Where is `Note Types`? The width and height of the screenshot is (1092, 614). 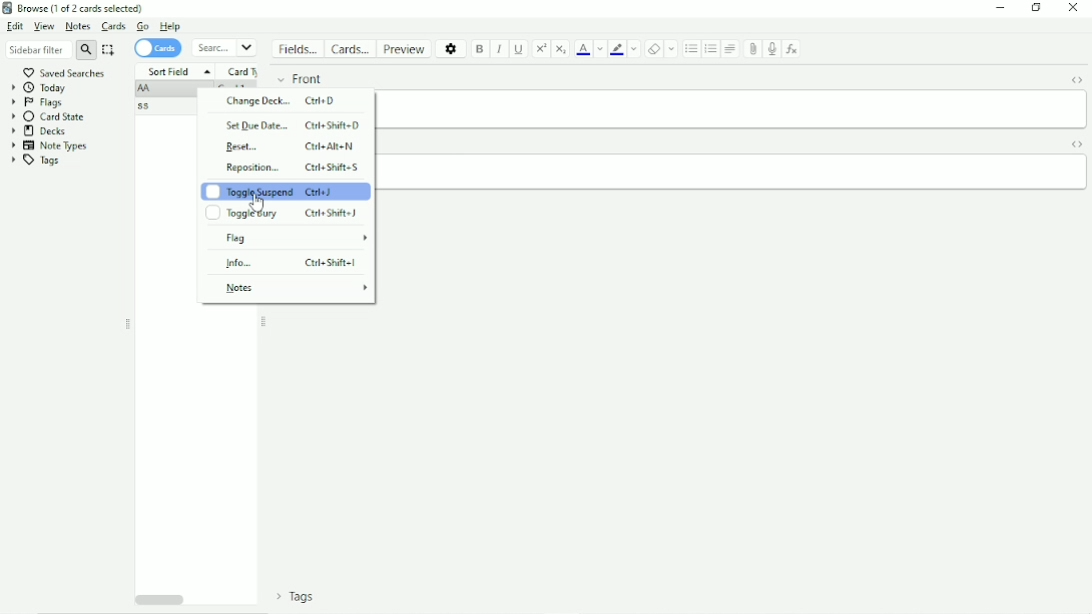 Note Types is located at coordinates (49, 145).